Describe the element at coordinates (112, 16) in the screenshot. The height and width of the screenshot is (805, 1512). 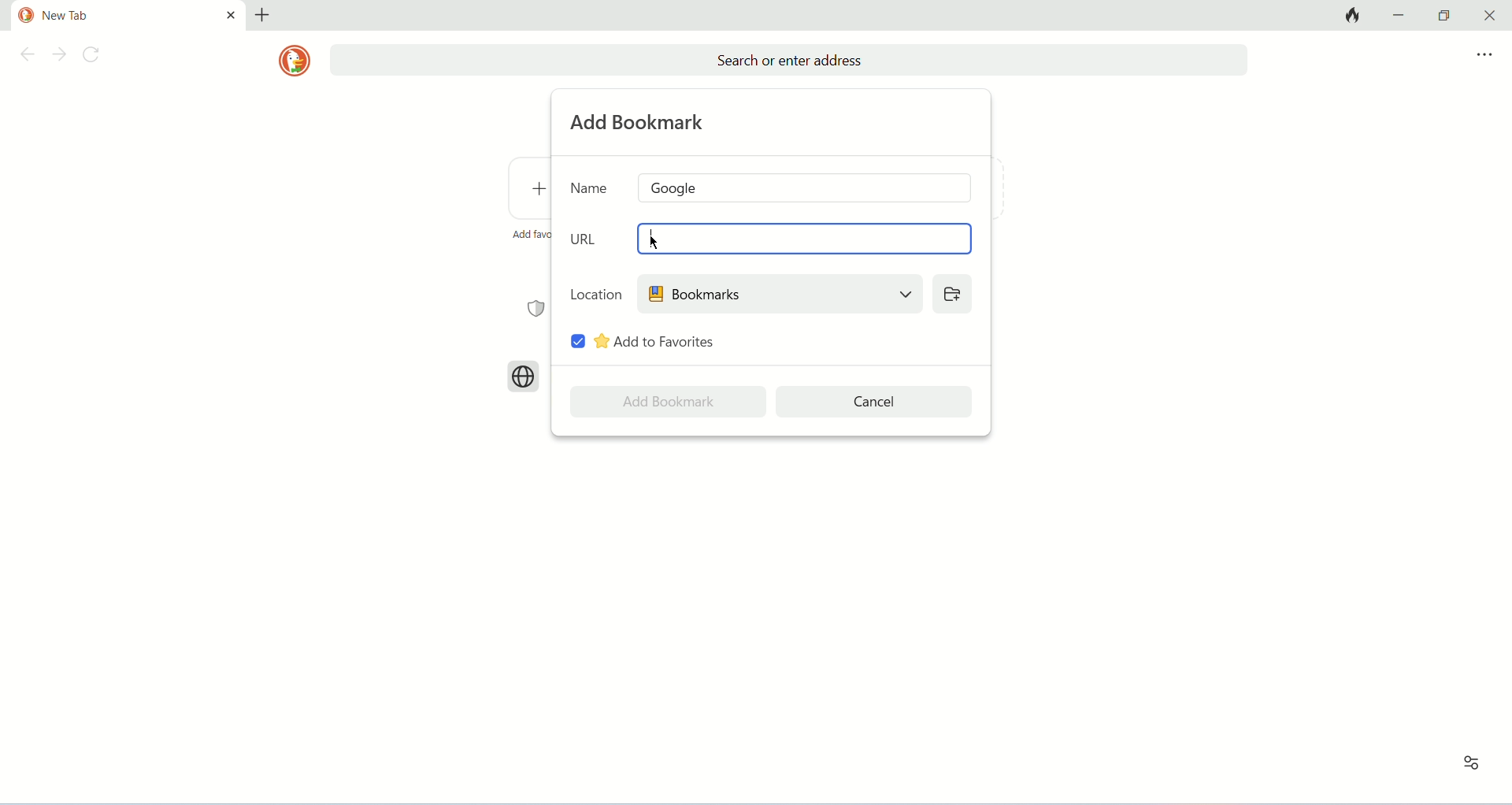
I see `current tab` at that location.